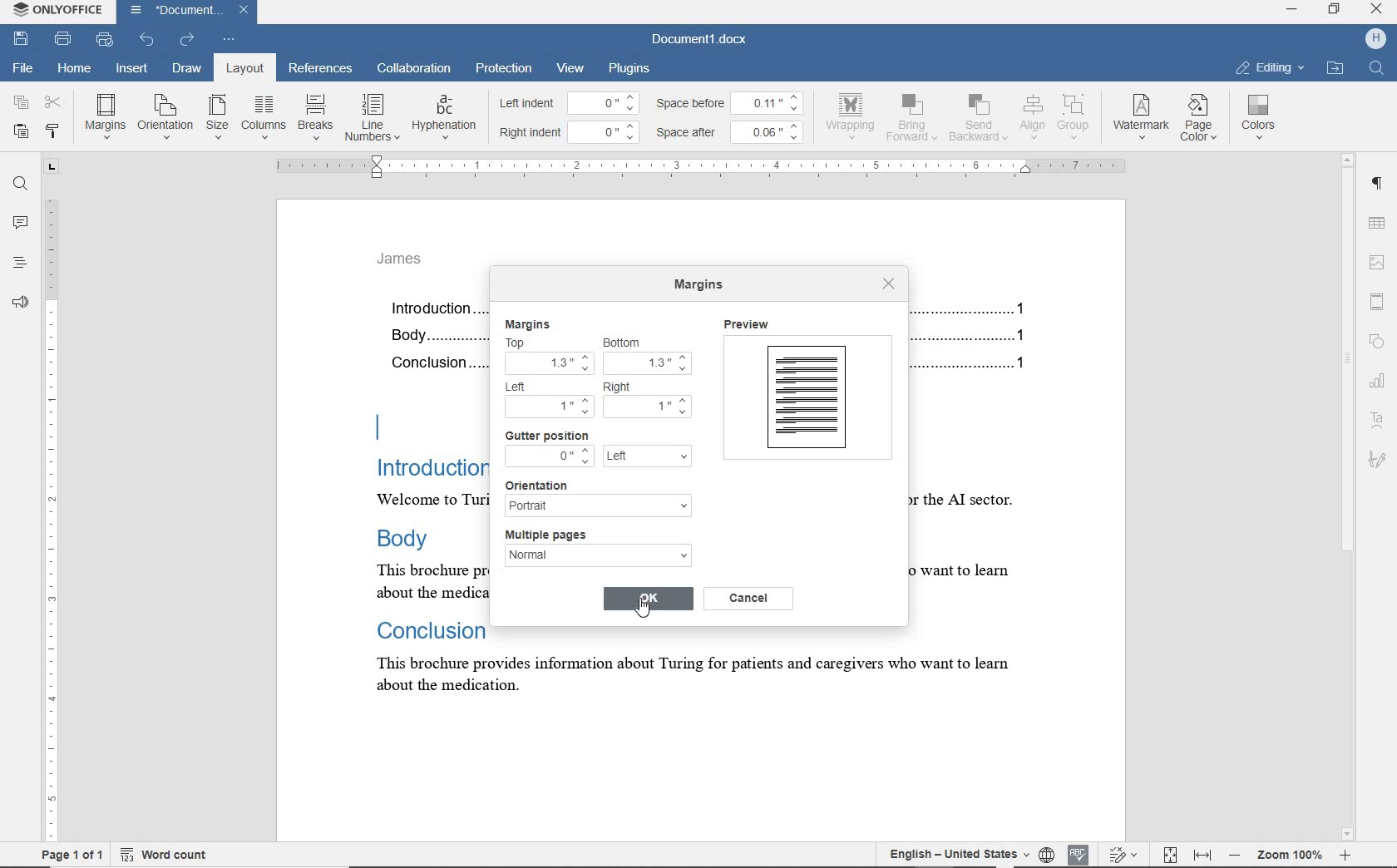 The image size is (1397, 868). I want to click on 1, so click(550, 407).